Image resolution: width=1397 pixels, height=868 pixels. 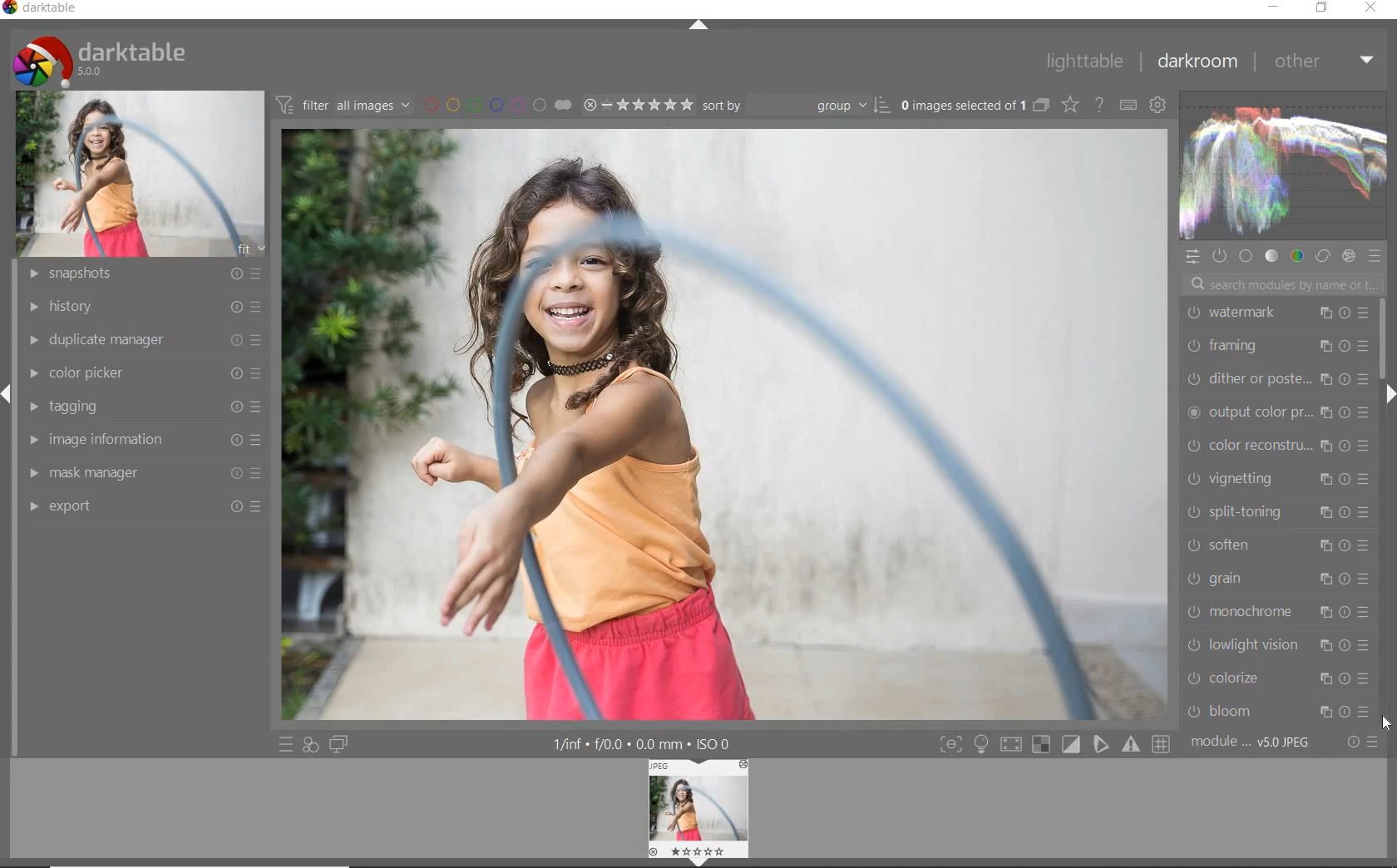 I want to click on color picker, so click(x=149, y=370).